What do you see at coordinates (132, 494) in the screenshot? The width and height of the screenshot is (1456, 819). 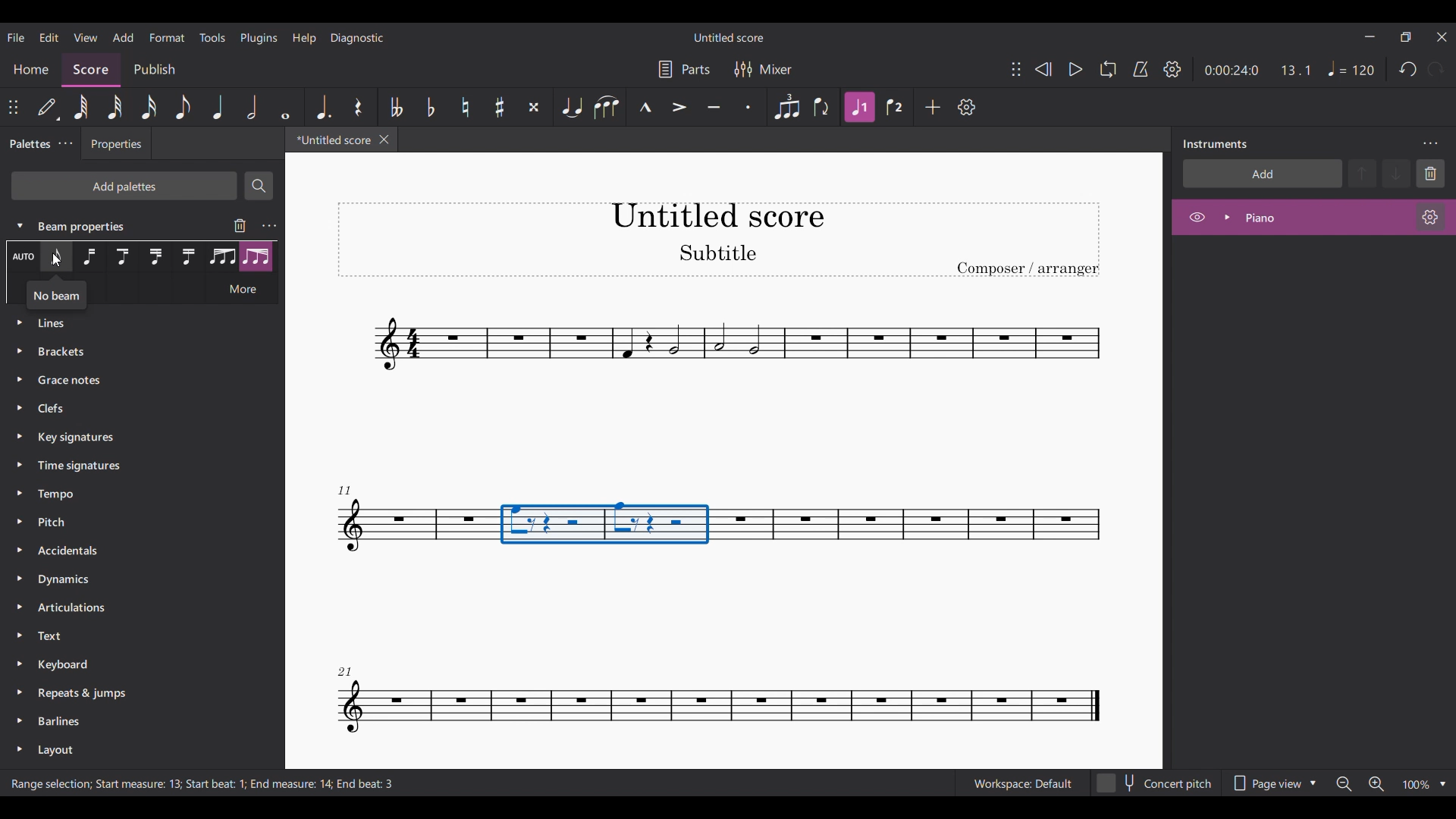 I see `Tempo` at bounding box center [132, 494].